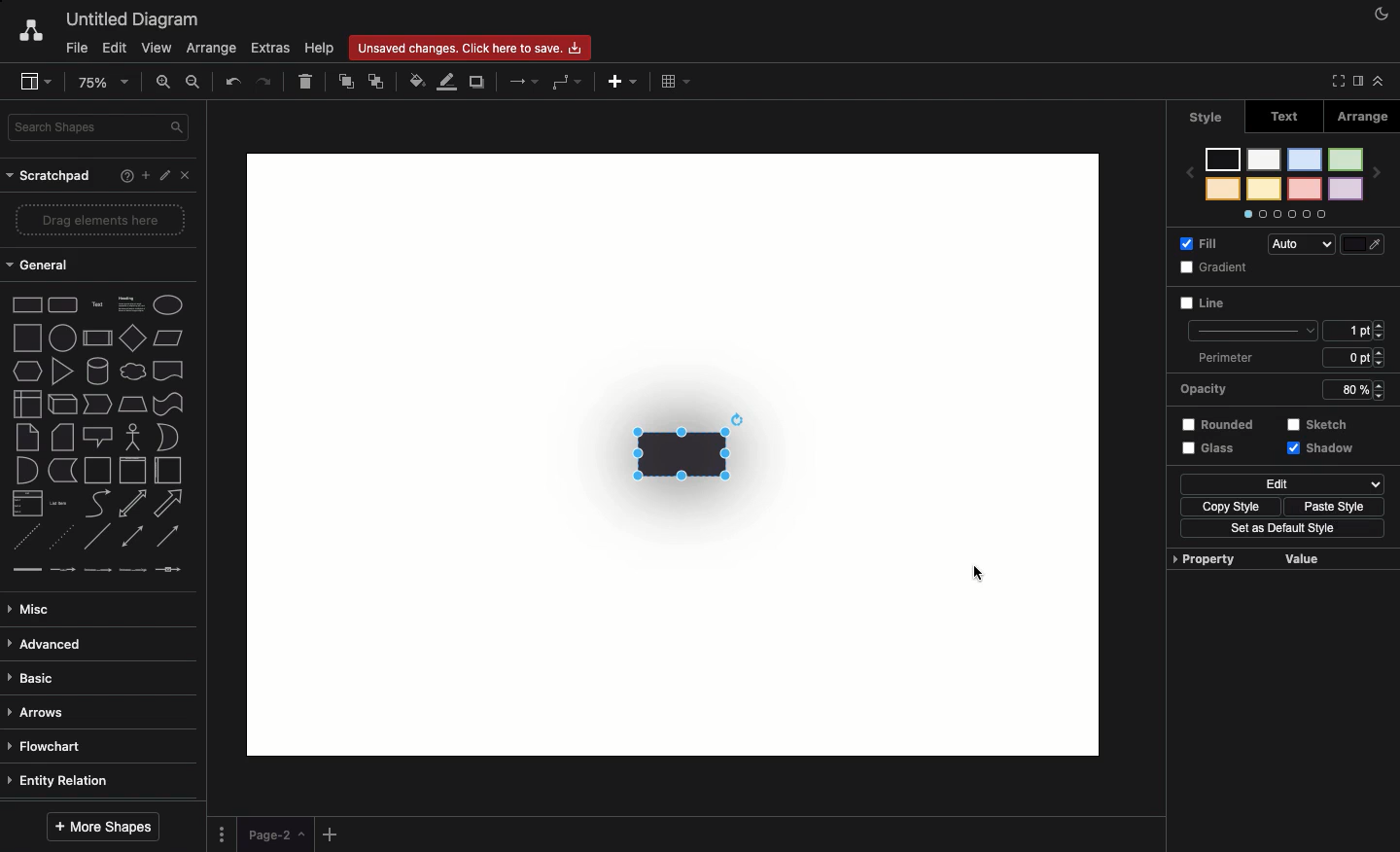 This screenshot has width=1400, height=852. I want to click on step, so click(92, 404).